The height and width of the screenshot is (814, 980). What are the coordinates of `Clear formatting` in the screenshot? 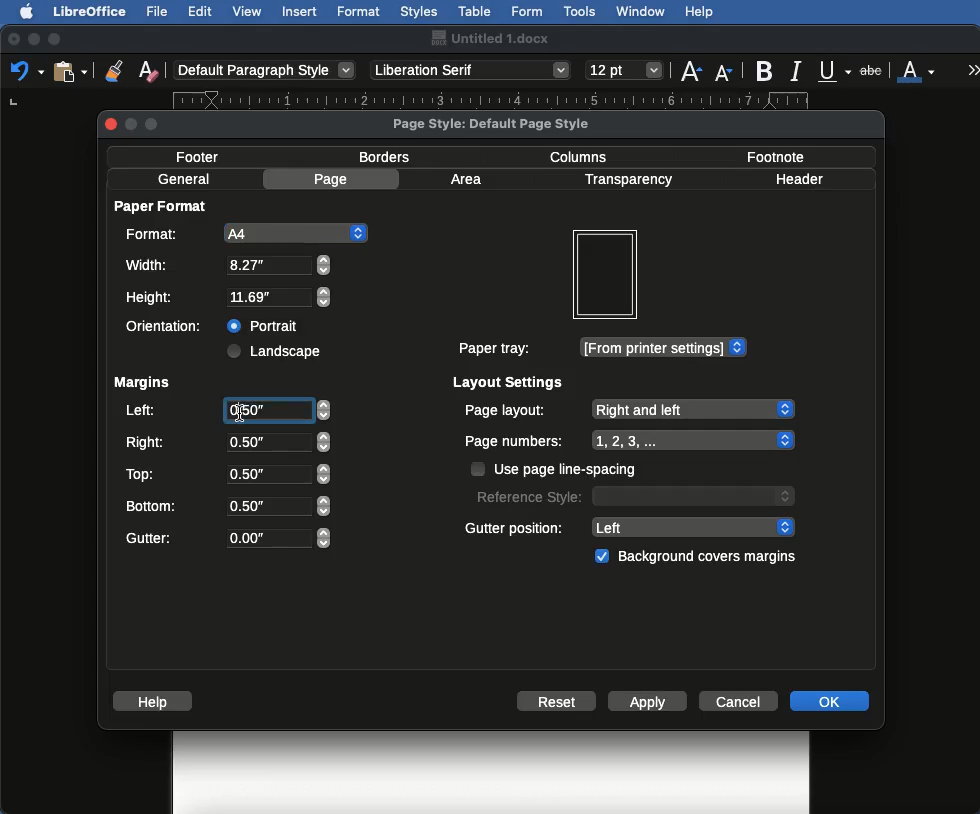 It's located at (148, 69).